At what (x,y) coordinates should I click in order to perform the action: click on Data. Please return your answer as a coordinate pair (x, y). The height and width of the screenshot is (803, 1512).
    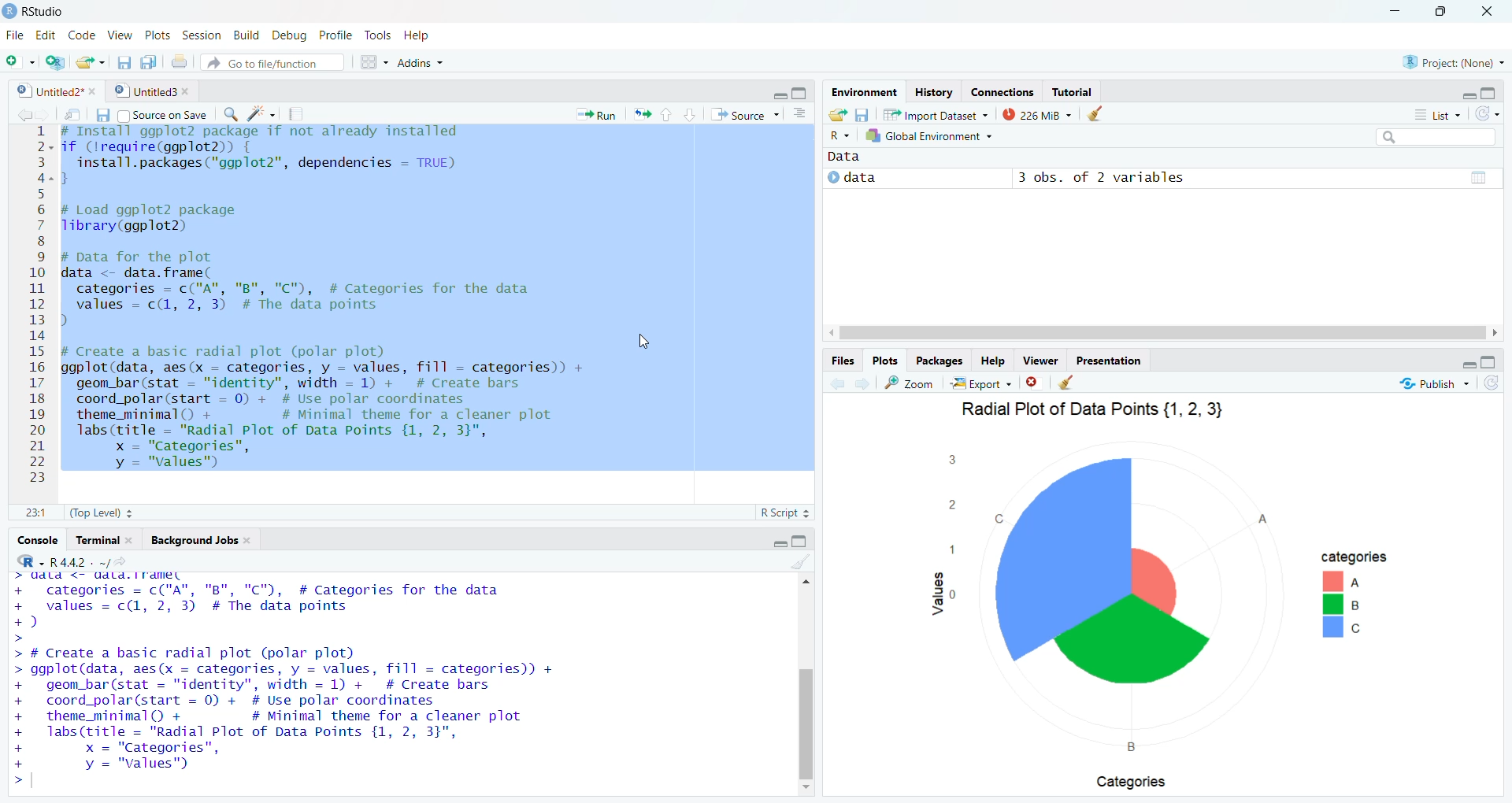
    Looking at the image, I should click on (849, 157).